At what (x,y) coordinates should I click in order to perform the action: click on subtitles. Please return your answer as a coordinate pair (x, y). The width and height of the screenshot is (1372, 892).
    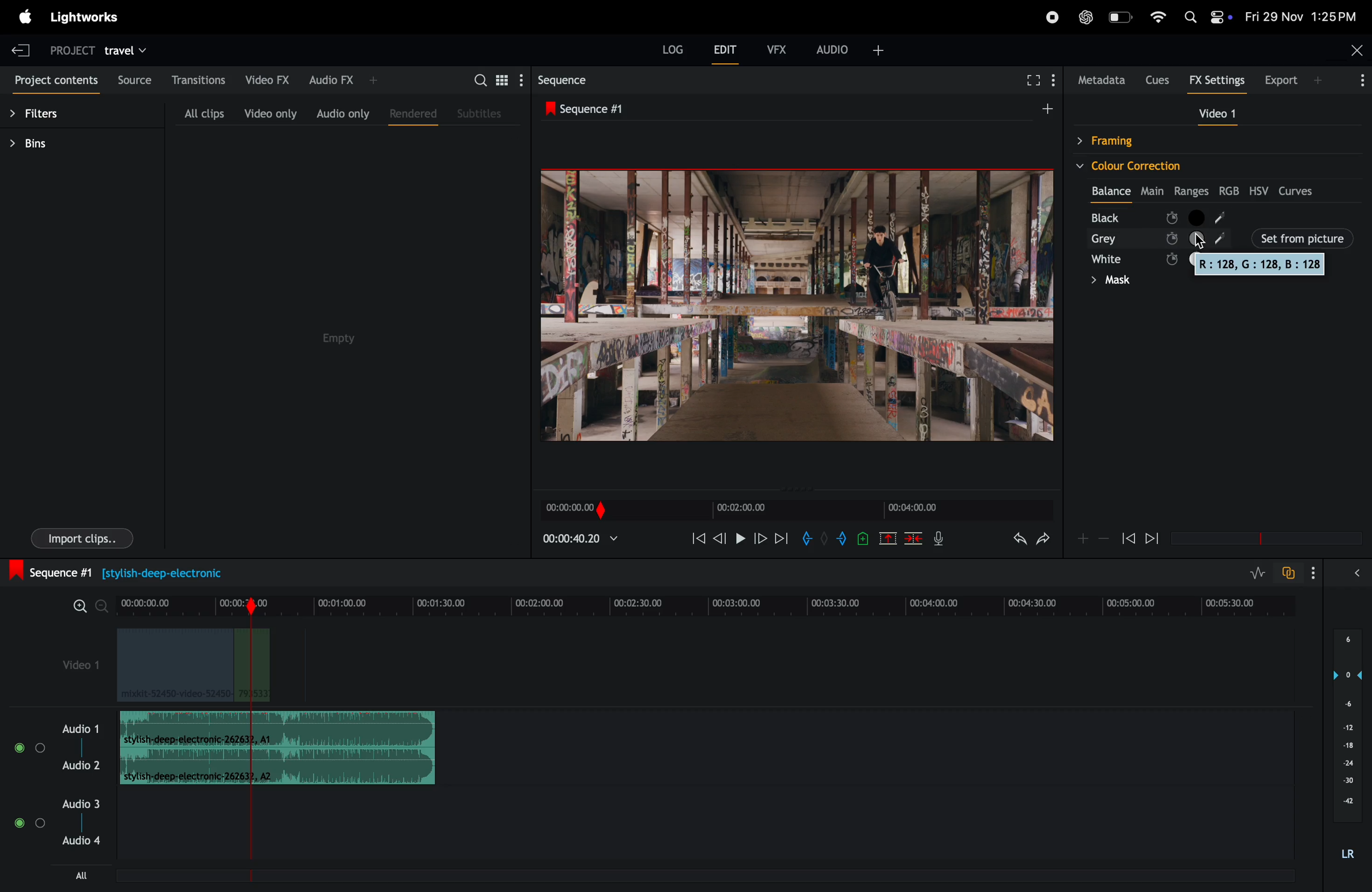
    Looking at the image, I should click on (481, 112).